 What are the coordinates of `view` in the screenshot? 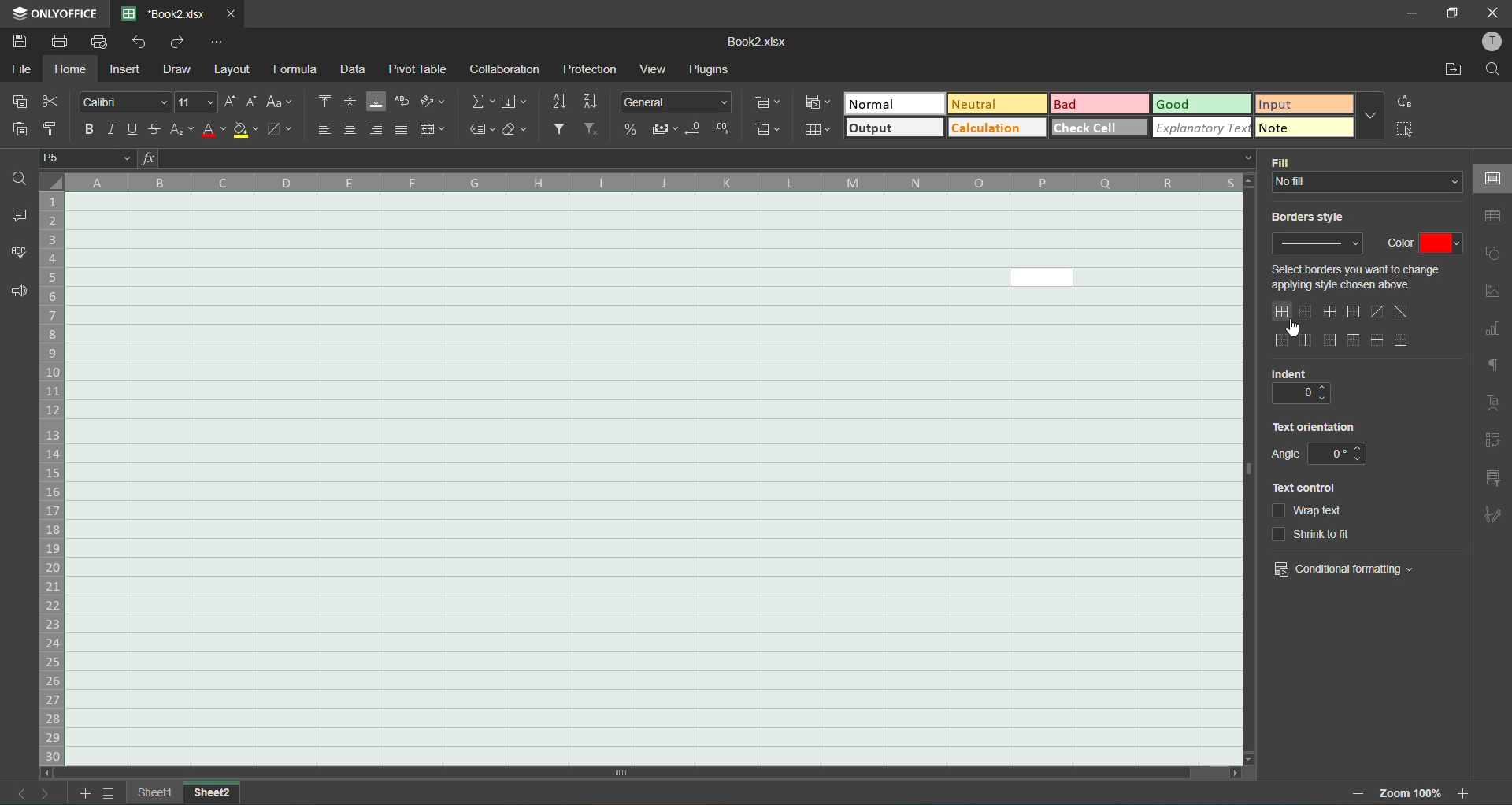 It's located at (658, 69).